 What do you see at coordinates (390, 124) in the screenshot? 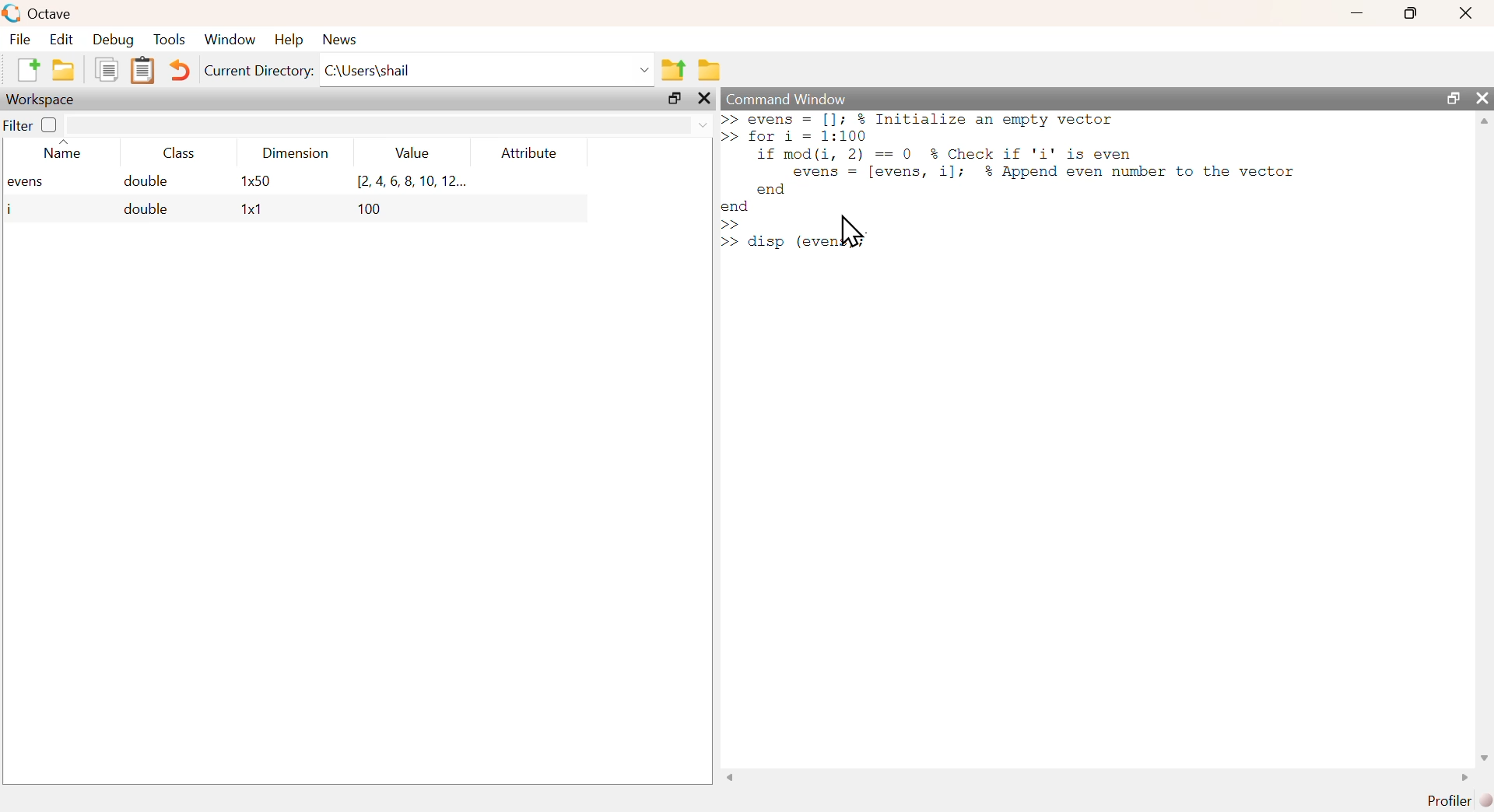
I see `filter` at bounding box center [390, 124].